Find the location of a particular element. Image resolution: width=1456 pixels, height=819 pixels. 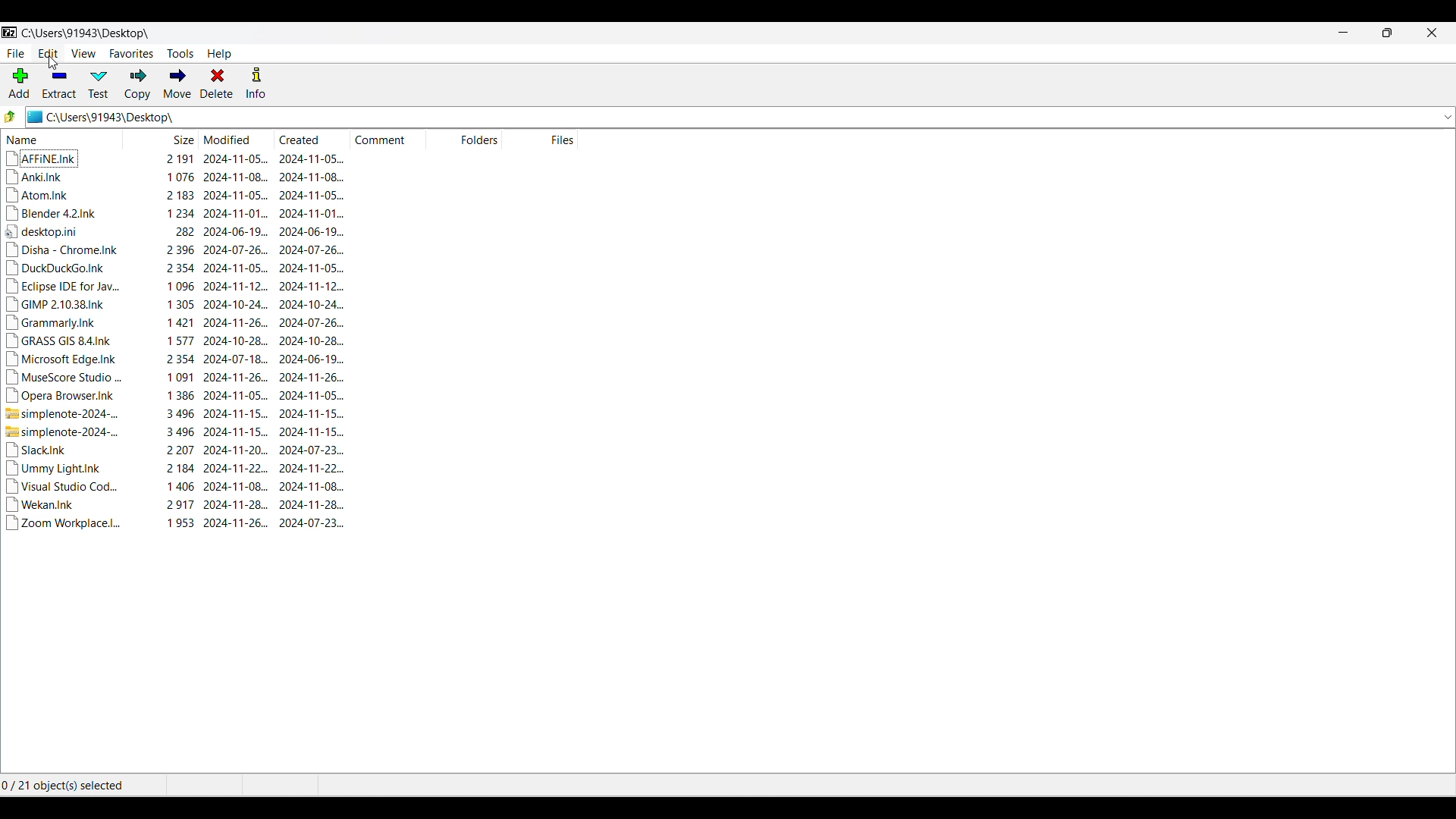

Move is located at coordinates (177, 83).